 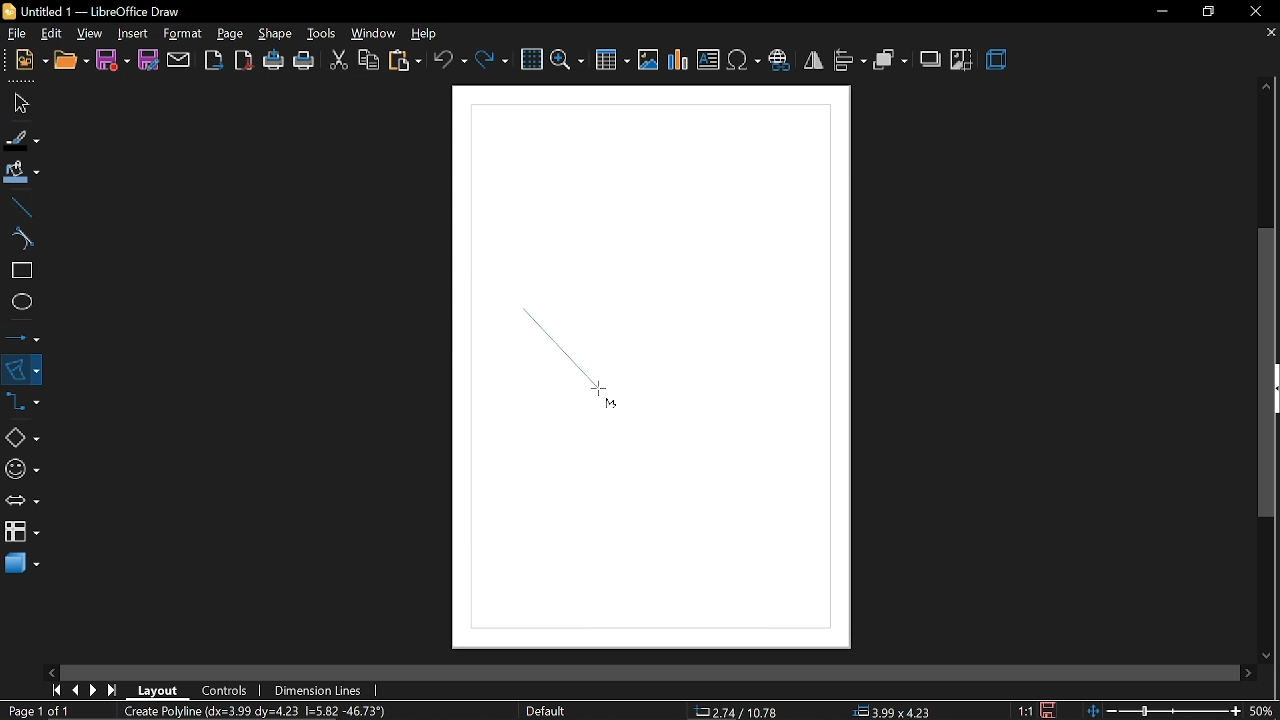 What do you see at coordinates (1054, 708) in the screenshot?
I see `save` at bounding box center [1054, 708].